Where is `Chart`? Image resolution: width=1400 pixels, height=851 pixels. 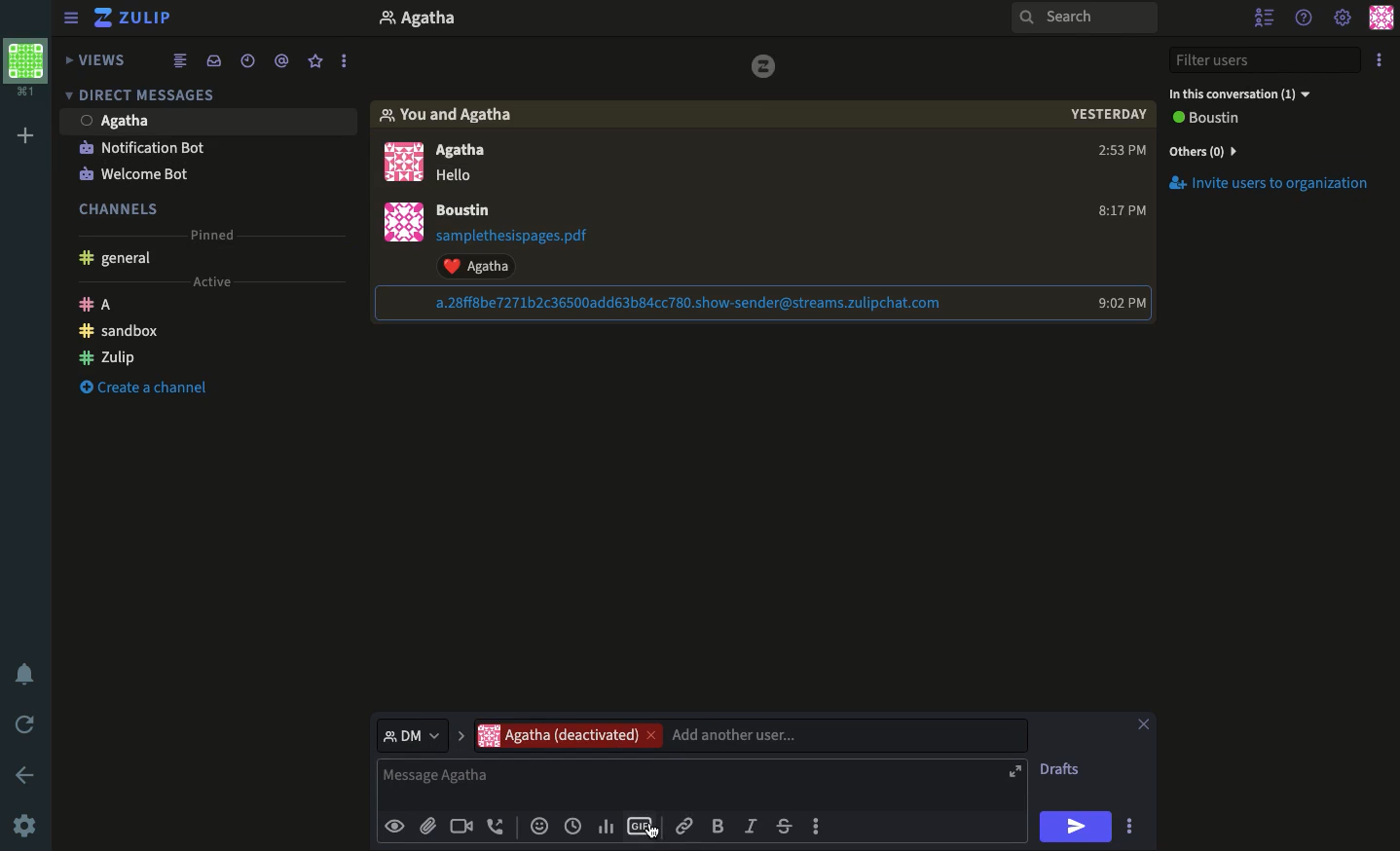
Chart is located at coordinates (605, 827).